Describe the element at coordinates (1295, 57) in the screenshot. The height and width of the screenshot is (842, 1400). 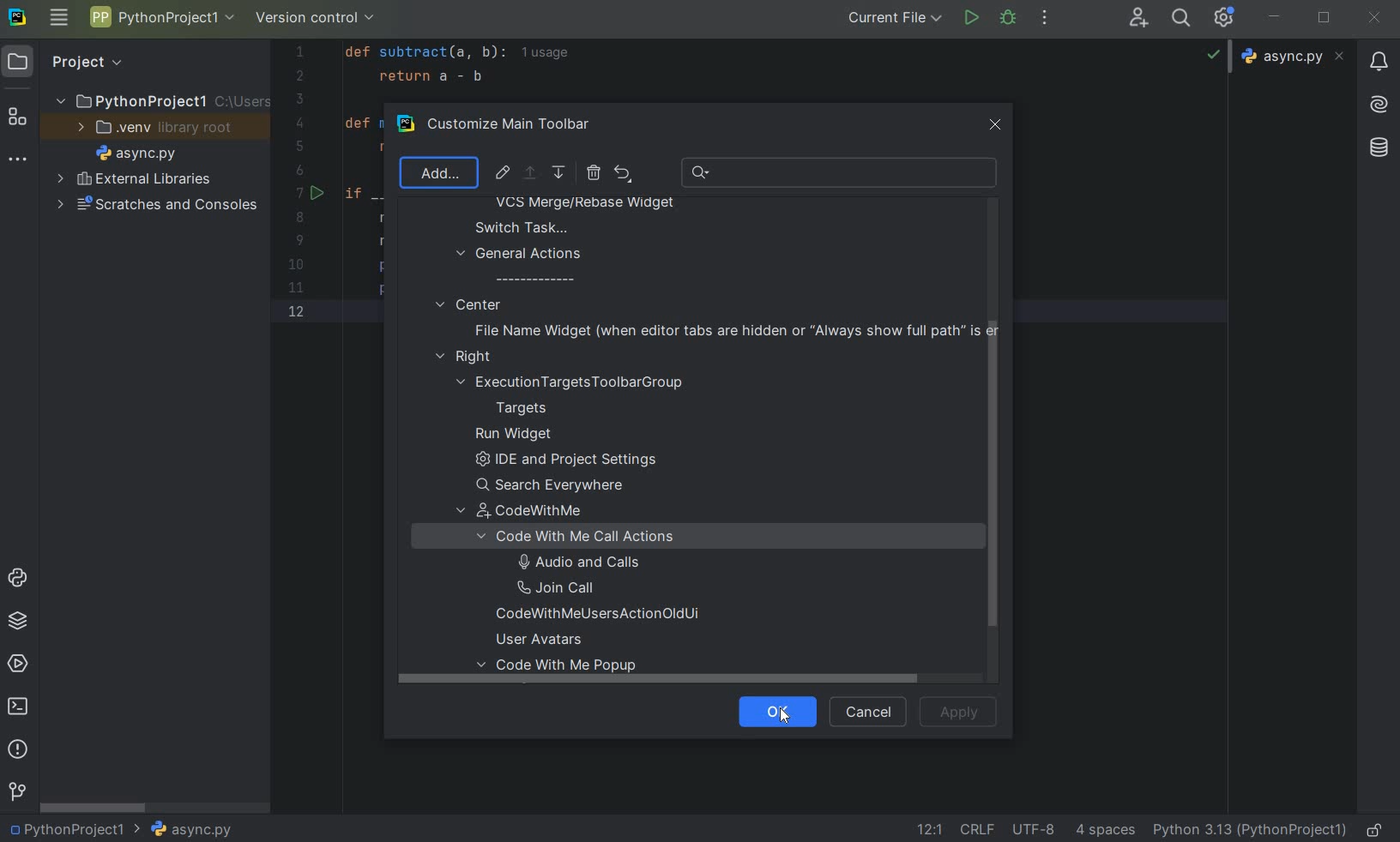
I see `async.py` at that location.